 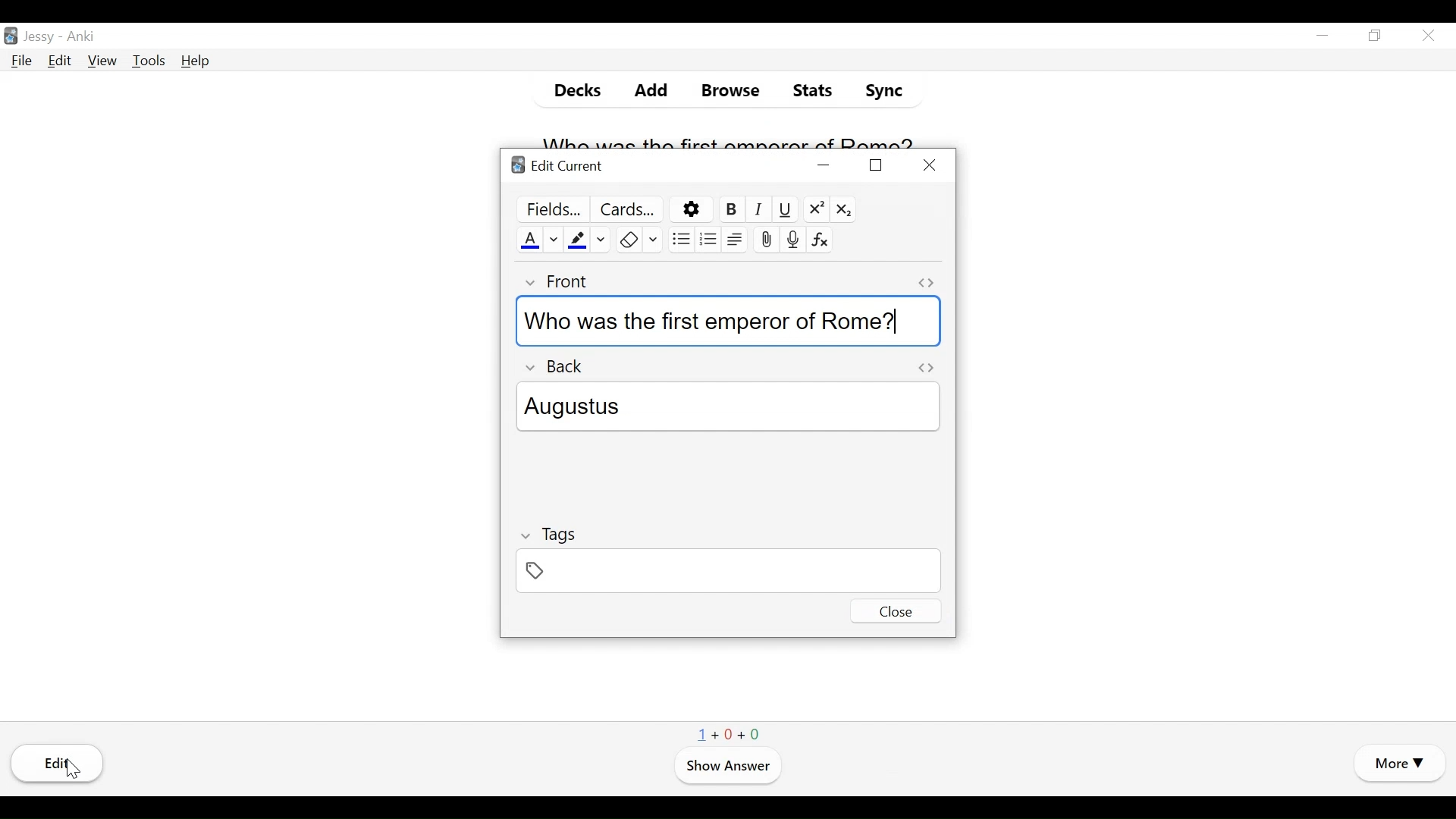 What do you see at coordinates (843, 208) in the screenshot?
I see `Subscript` at bounding box center [843, 208].